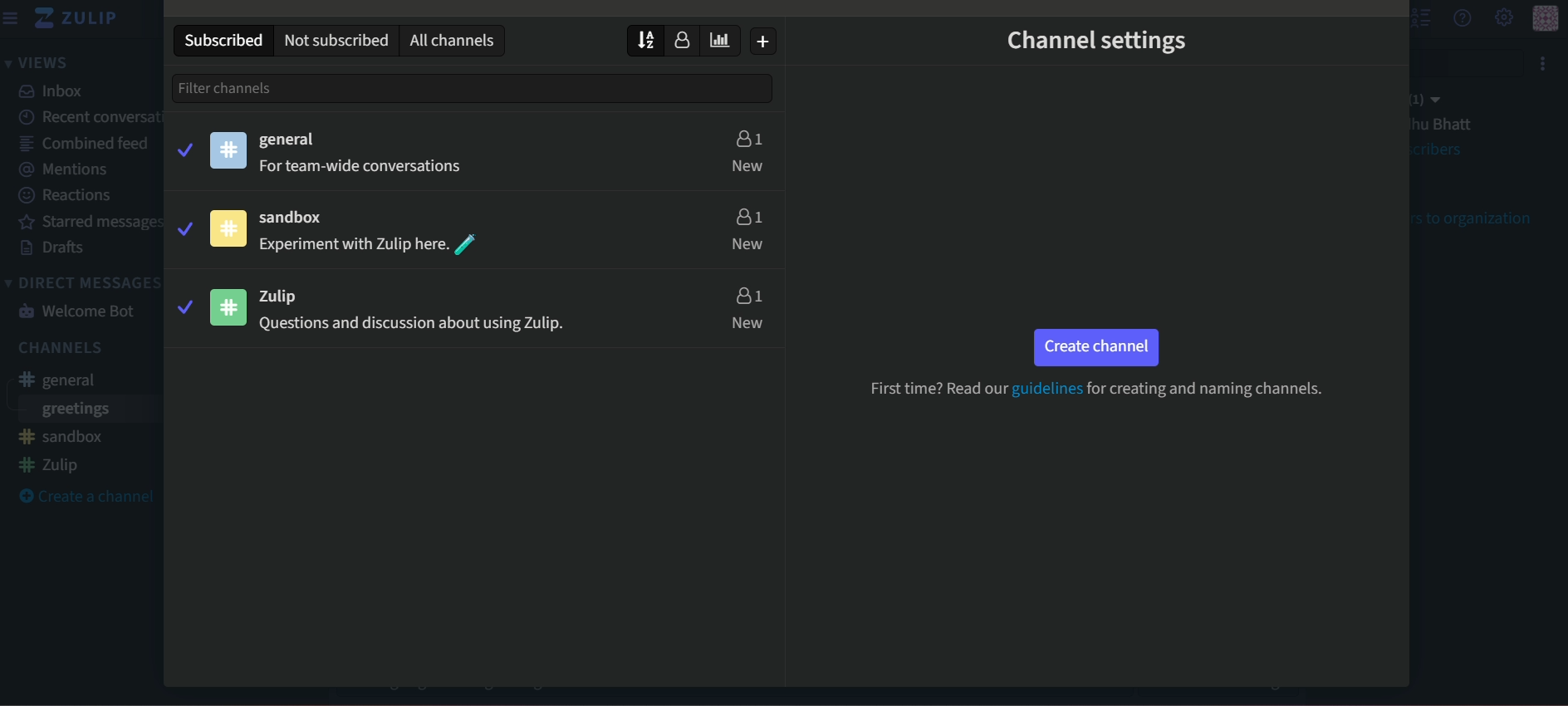  What do you see at coordinates (1097, 347) in the screenshot?
I see `button` at bounding box center [1097, 347].